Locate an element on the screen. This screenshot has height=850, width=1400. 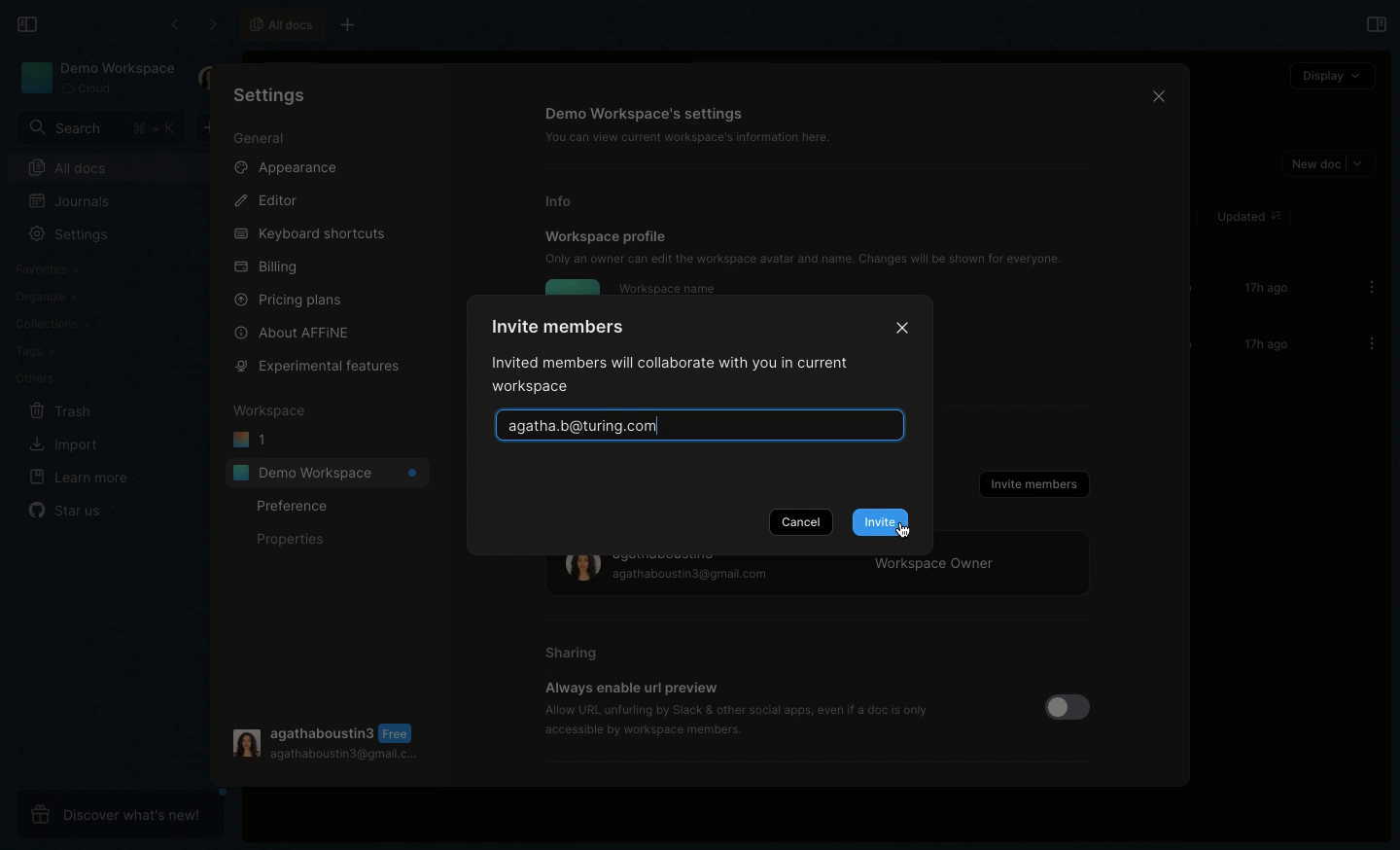
Workspace owner is located at coordinates (821, 577).